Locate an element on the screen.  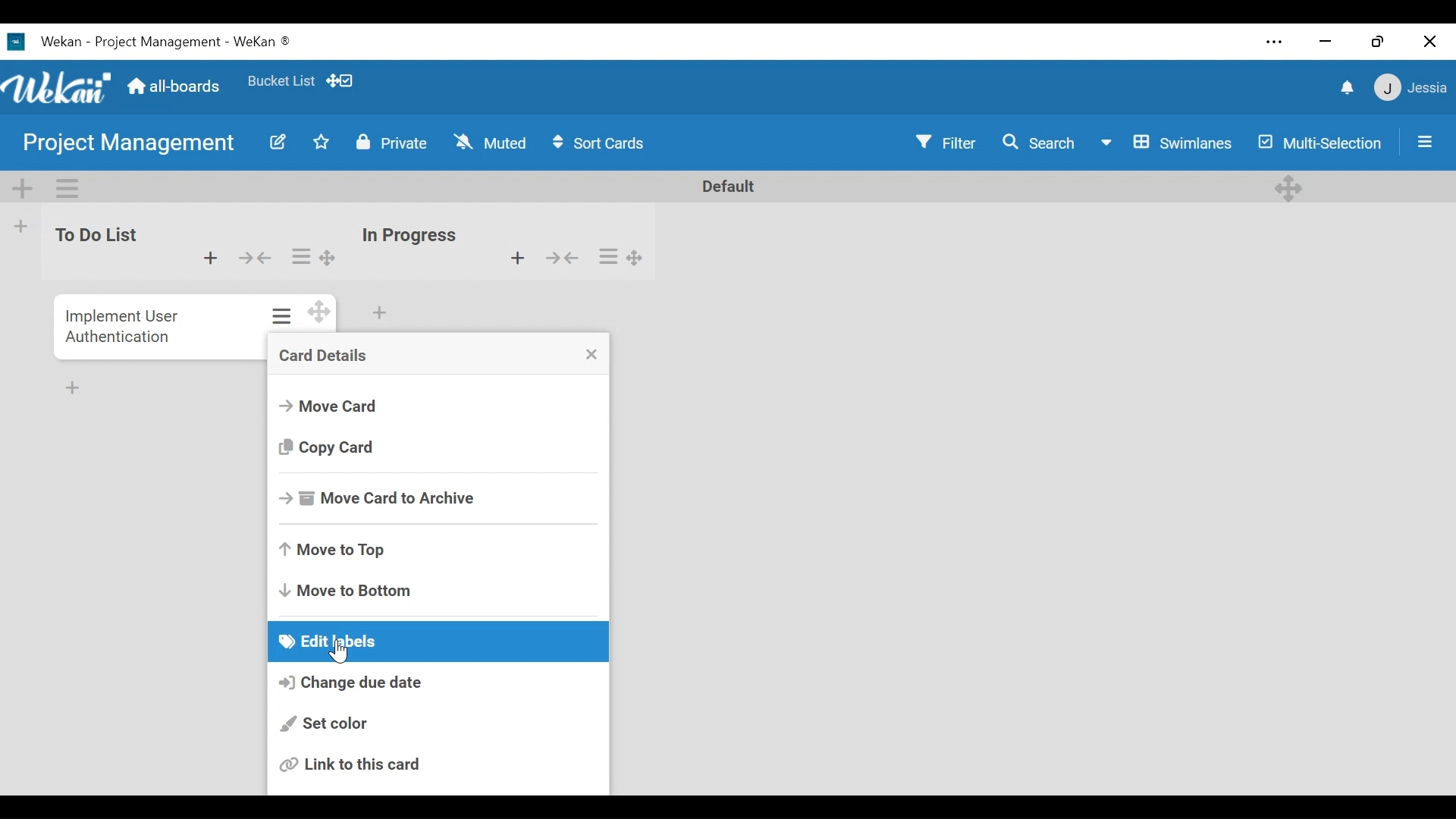
mark as favorite is located at coordinates (323, 144).